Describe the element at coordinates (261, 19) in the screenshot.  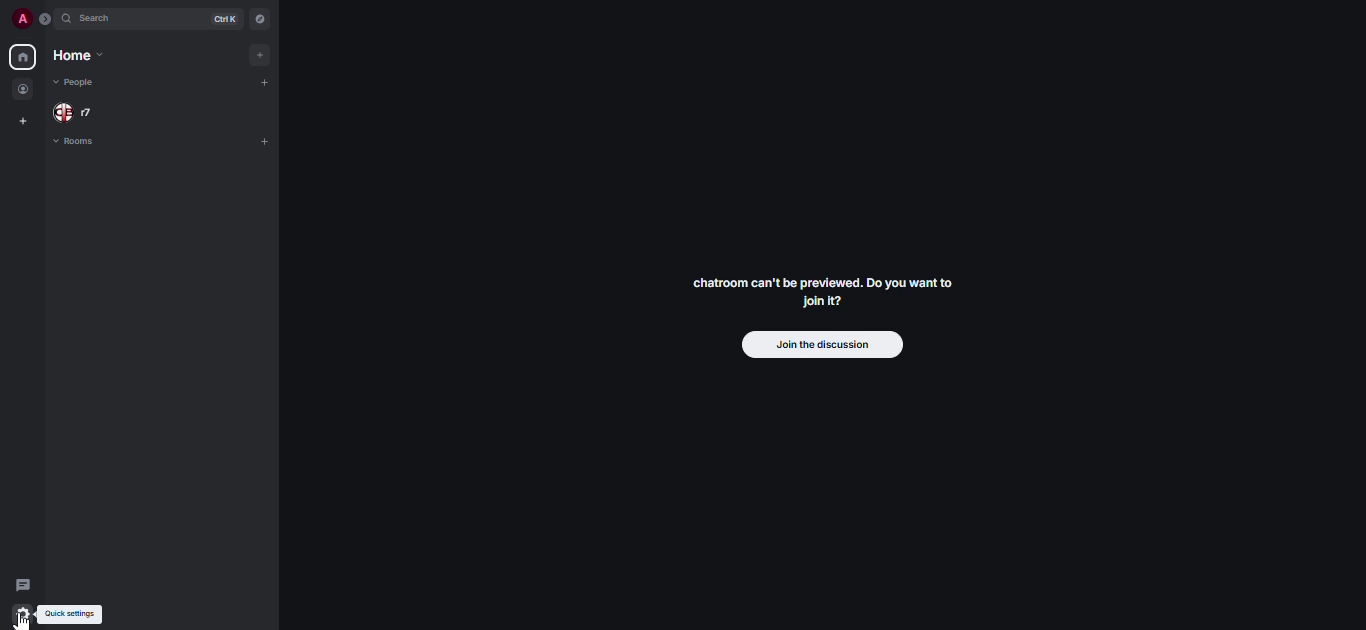
I see `navigator` at that location.